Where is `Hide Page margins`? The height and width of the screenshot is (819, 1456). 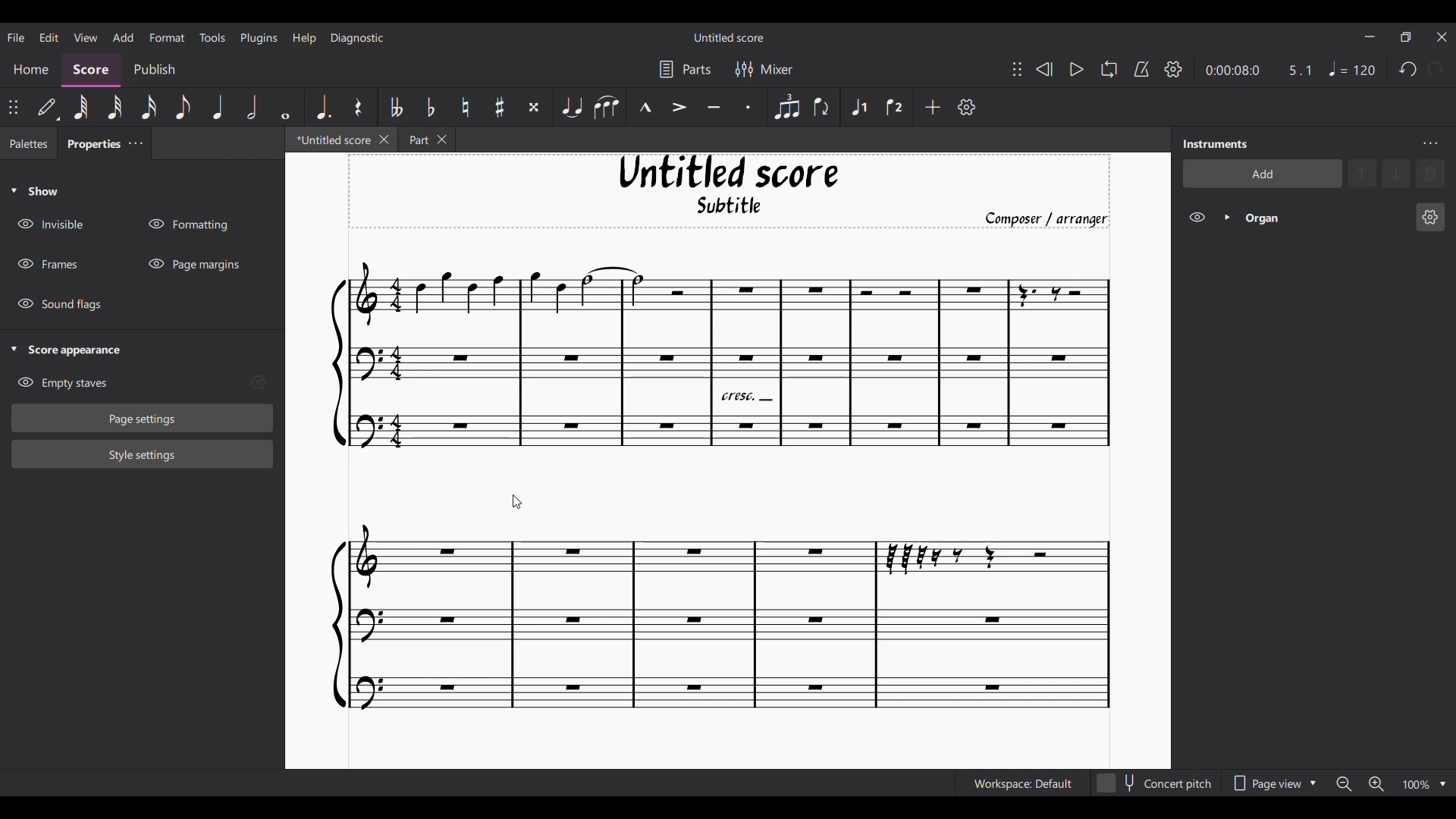
Hide Page margins is located at coordinates (194, 264).